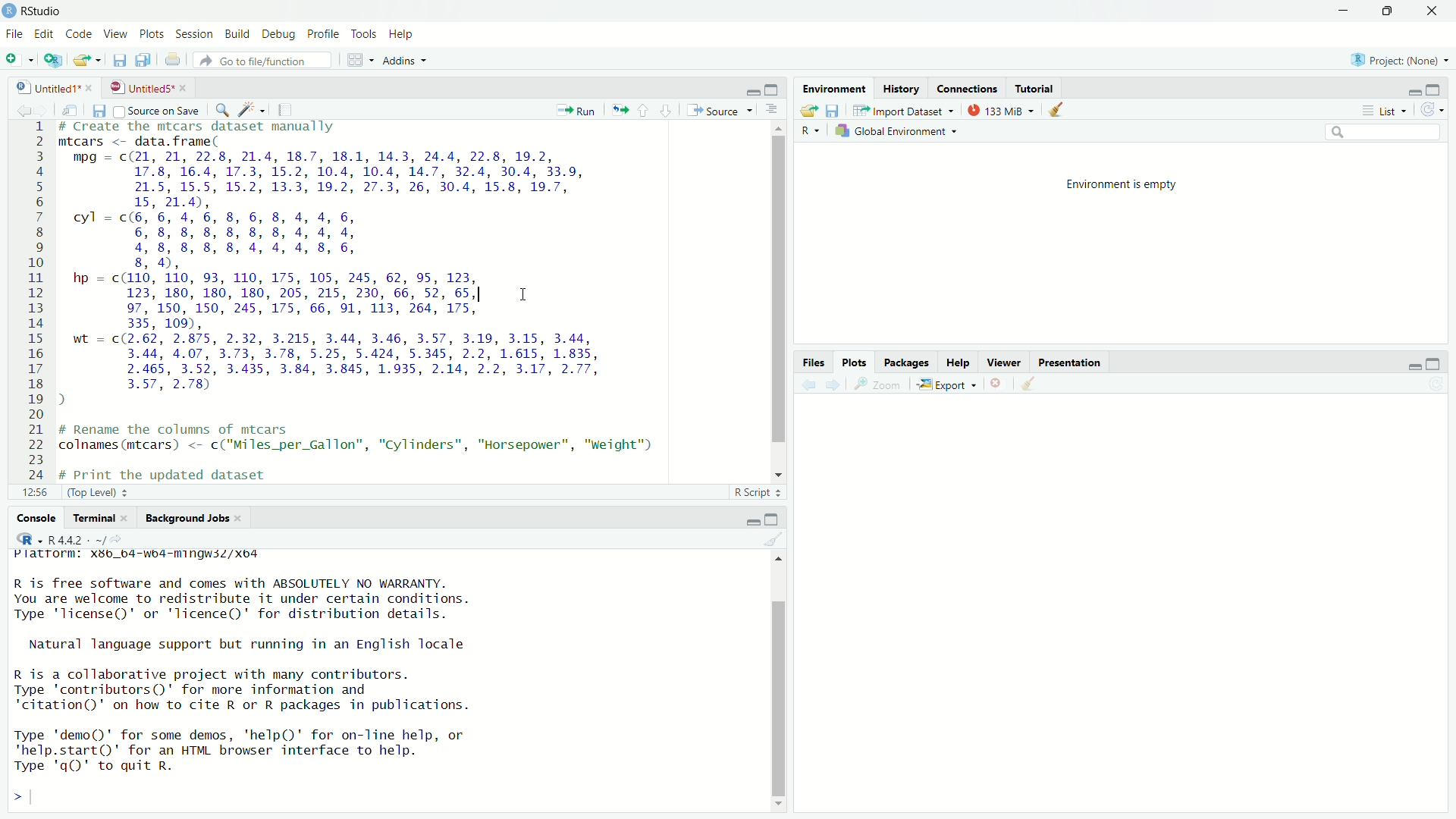  What do you see at coordinates (1434, 89) in the screenshot?
I see `maximise` at bounding box center [1434, 89].